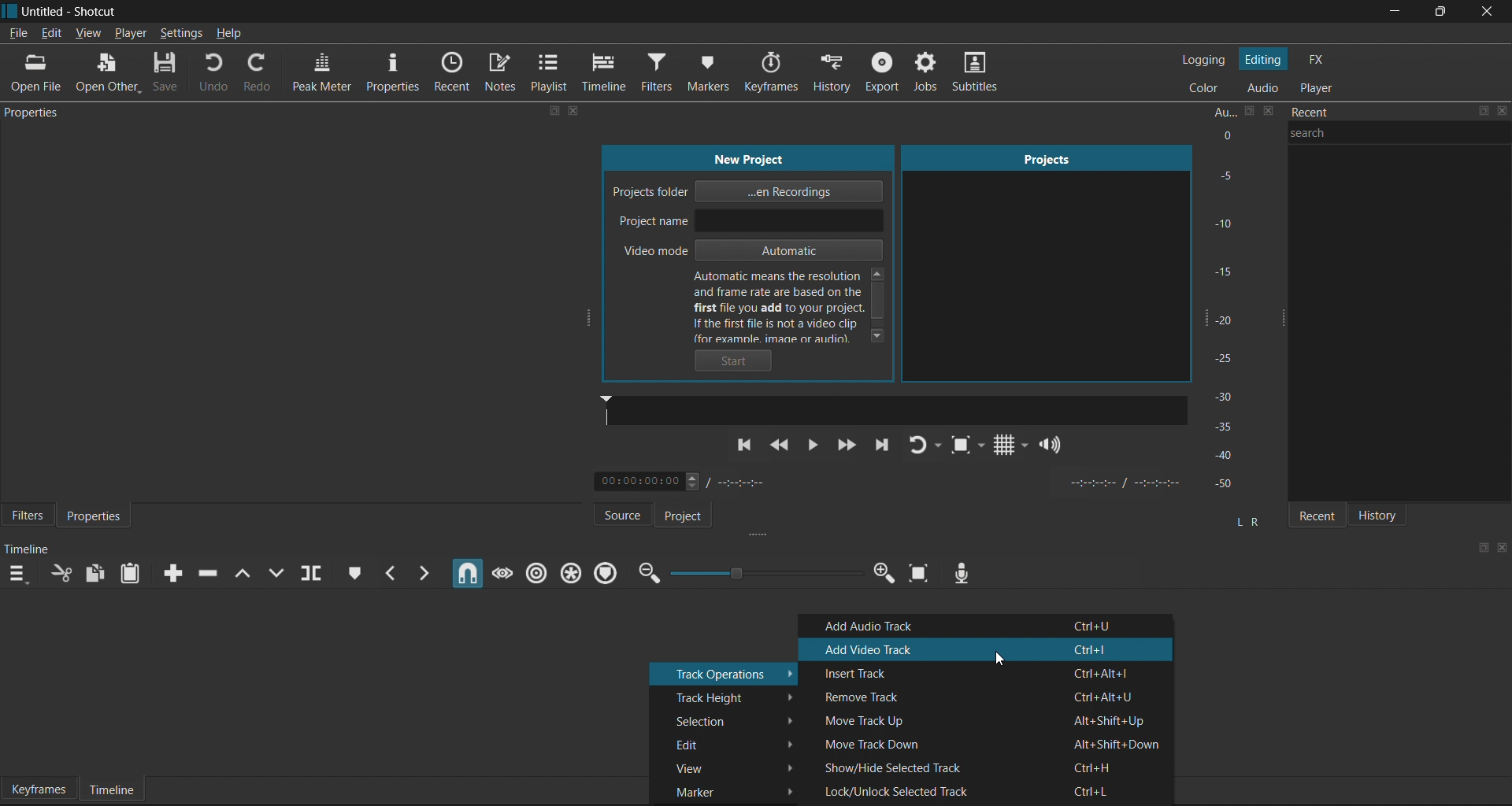 The width and height of the screenshot is (1512, 806). What do you see at coordinates (1006, 447) in the screenshot?
I see `Grid Display` at bounding box center [1006, 447].